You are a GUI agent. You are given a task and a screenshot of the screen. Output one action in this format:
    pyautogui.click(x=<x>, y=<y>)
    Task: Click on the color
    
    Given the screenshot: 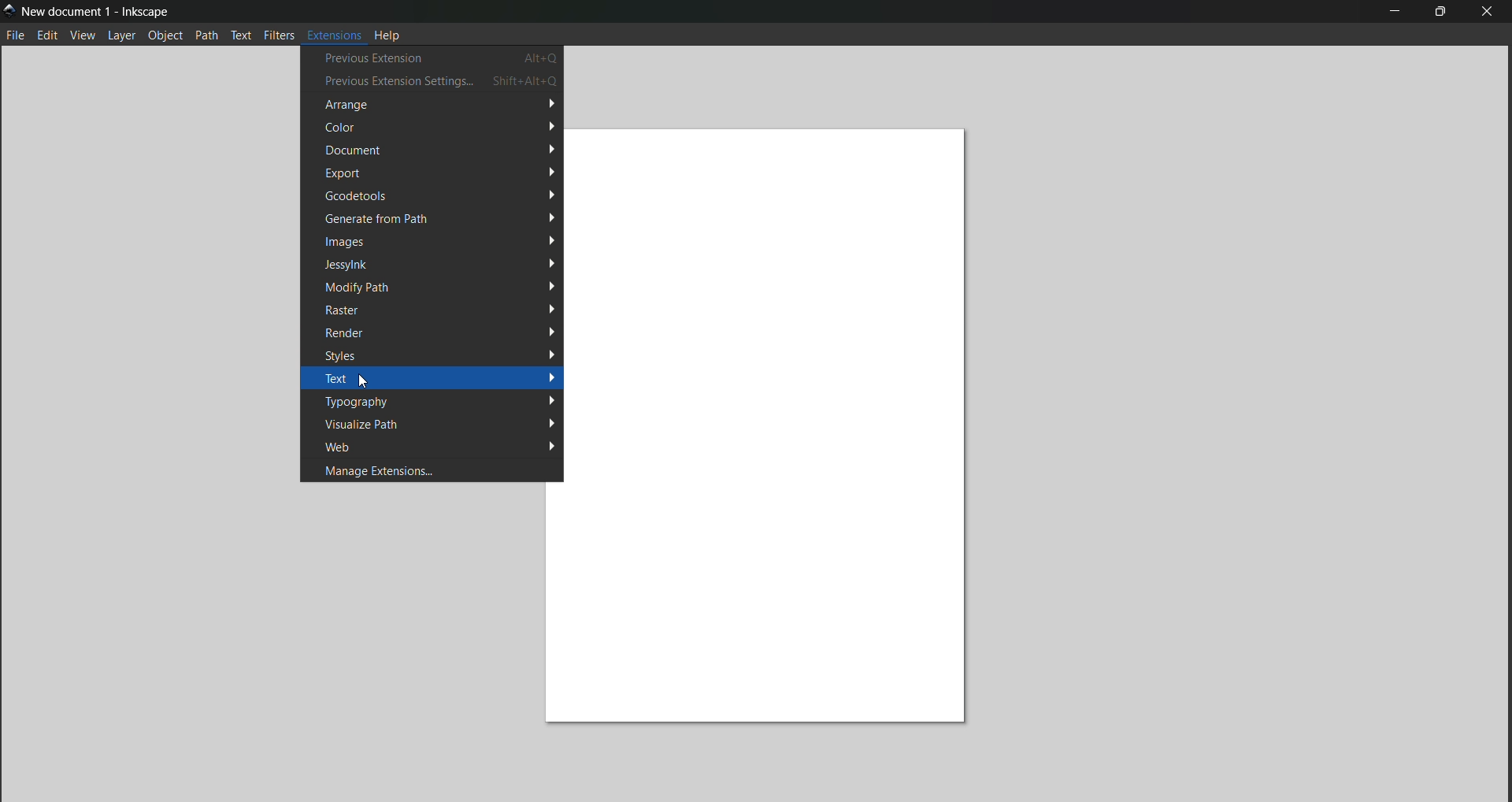 What is the action you would take?
    pyautogui.click(x=439, y=127)
    